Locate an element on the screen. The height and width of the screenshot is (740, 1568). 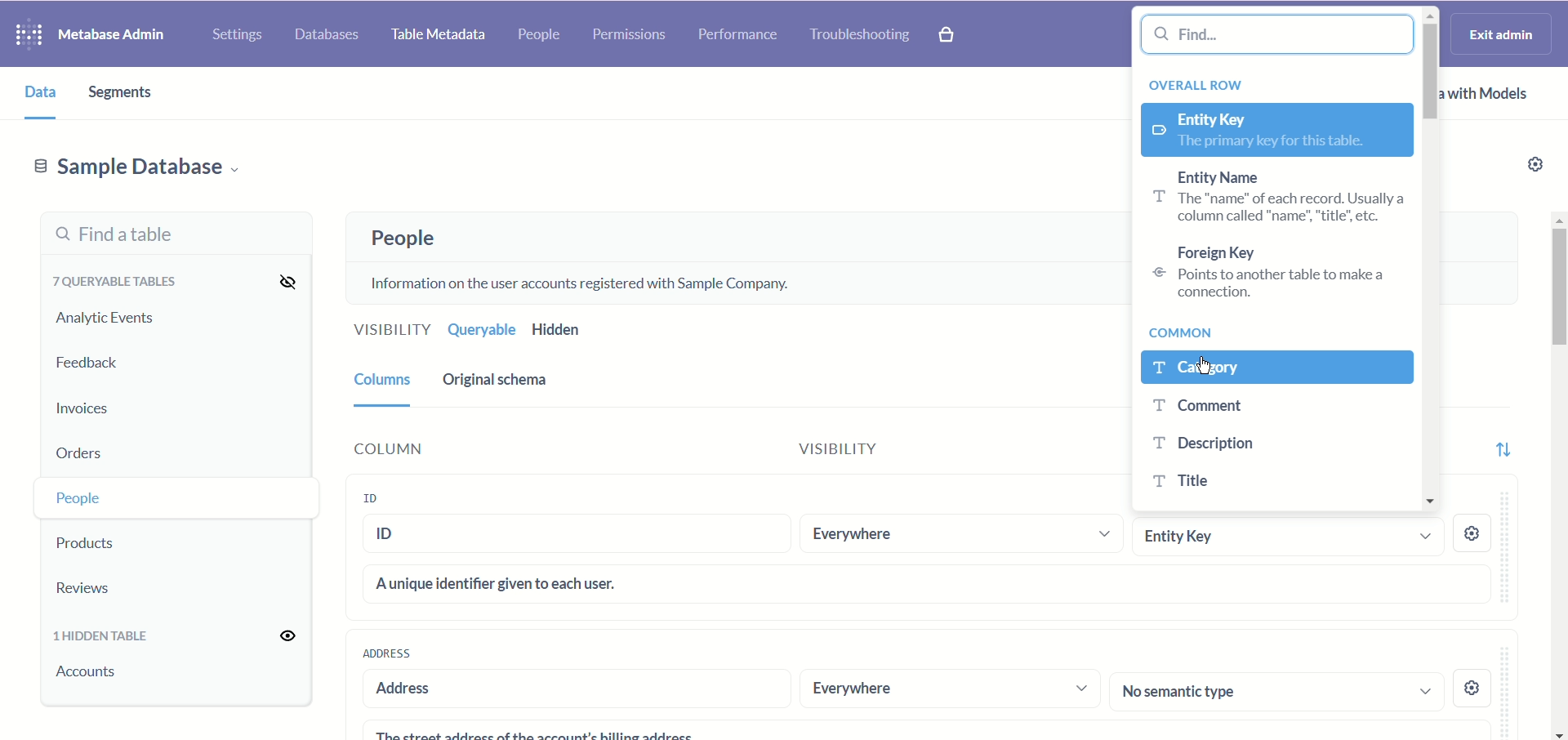
Permissions is located at coordinates (630, 37).